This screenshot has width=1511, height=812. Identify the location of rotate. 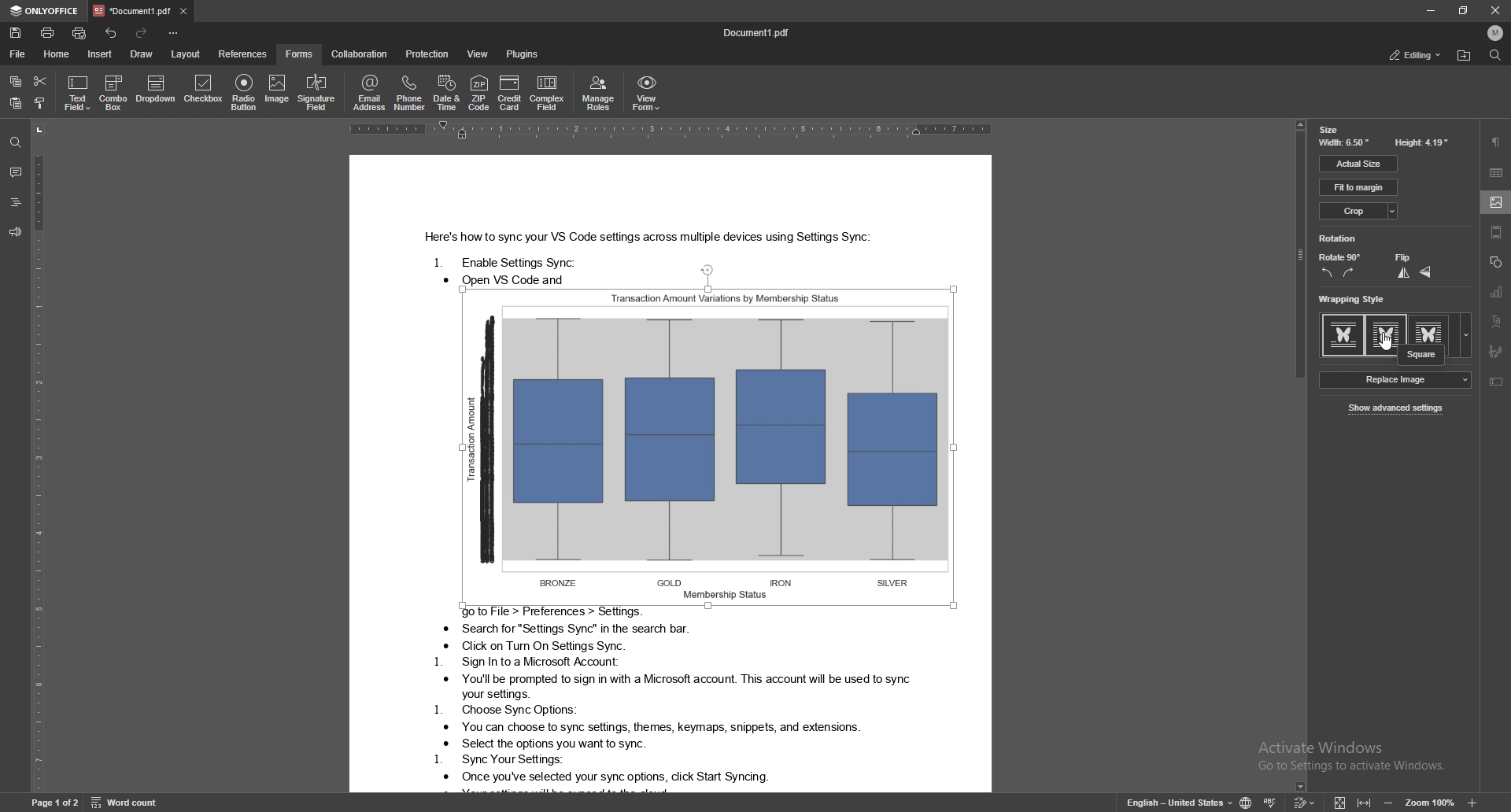
(1325, 275).